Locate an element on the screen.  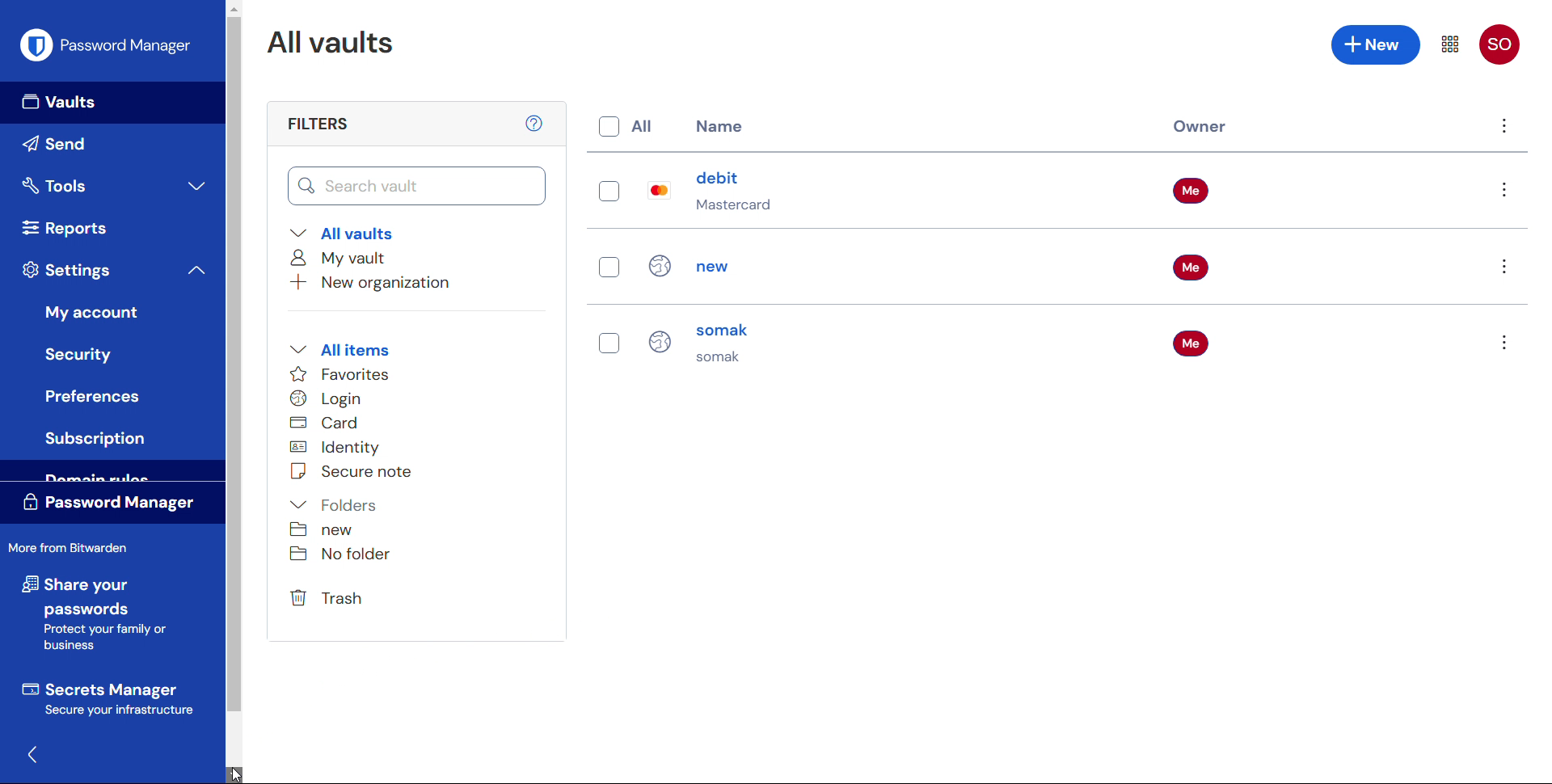
share your passwords Protect your family or business is located at coordinates (91, 615).